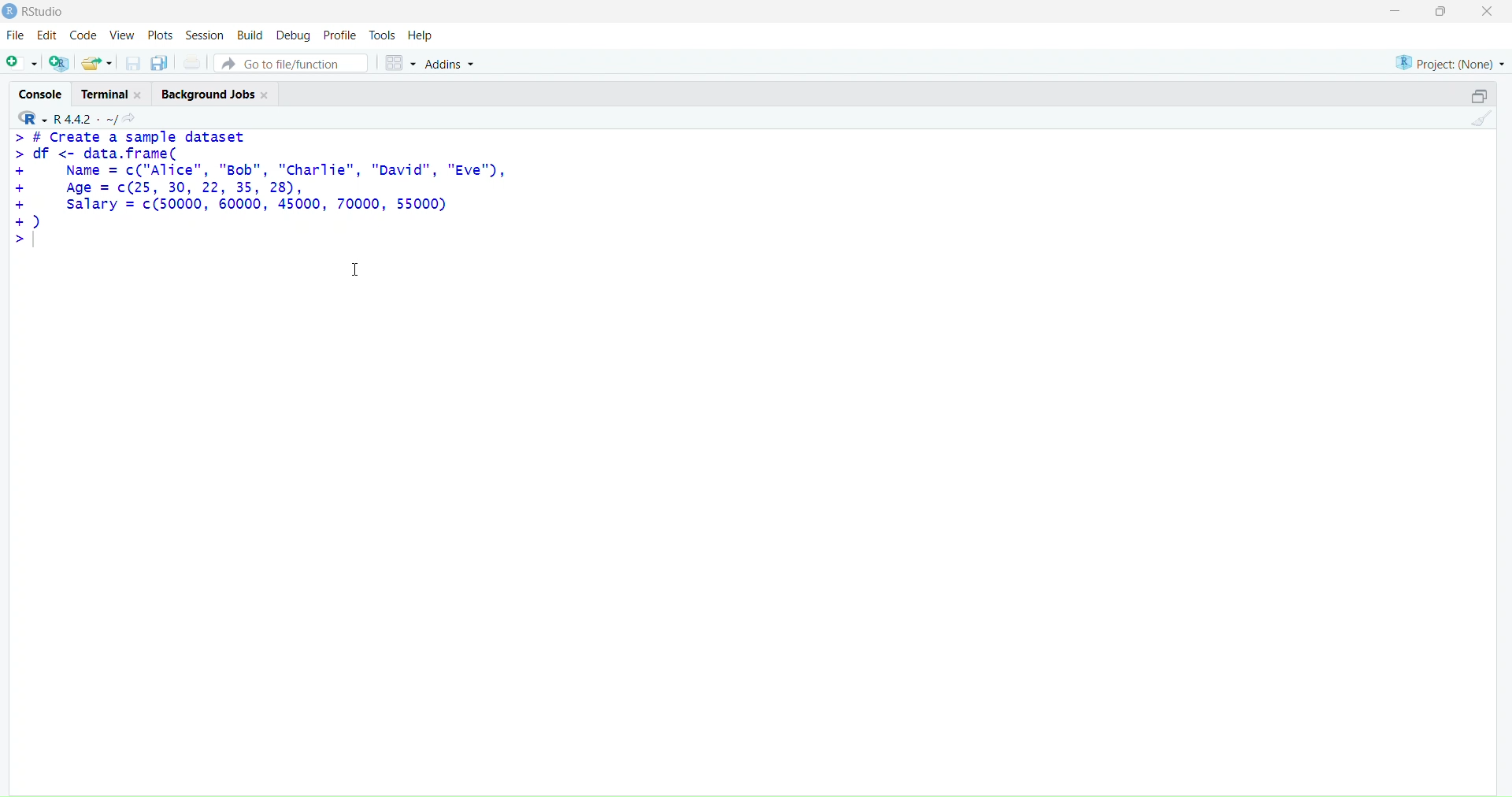  Describe the element at coordinates (32, 239) in the screenshot. I see `text cursor` at that location.